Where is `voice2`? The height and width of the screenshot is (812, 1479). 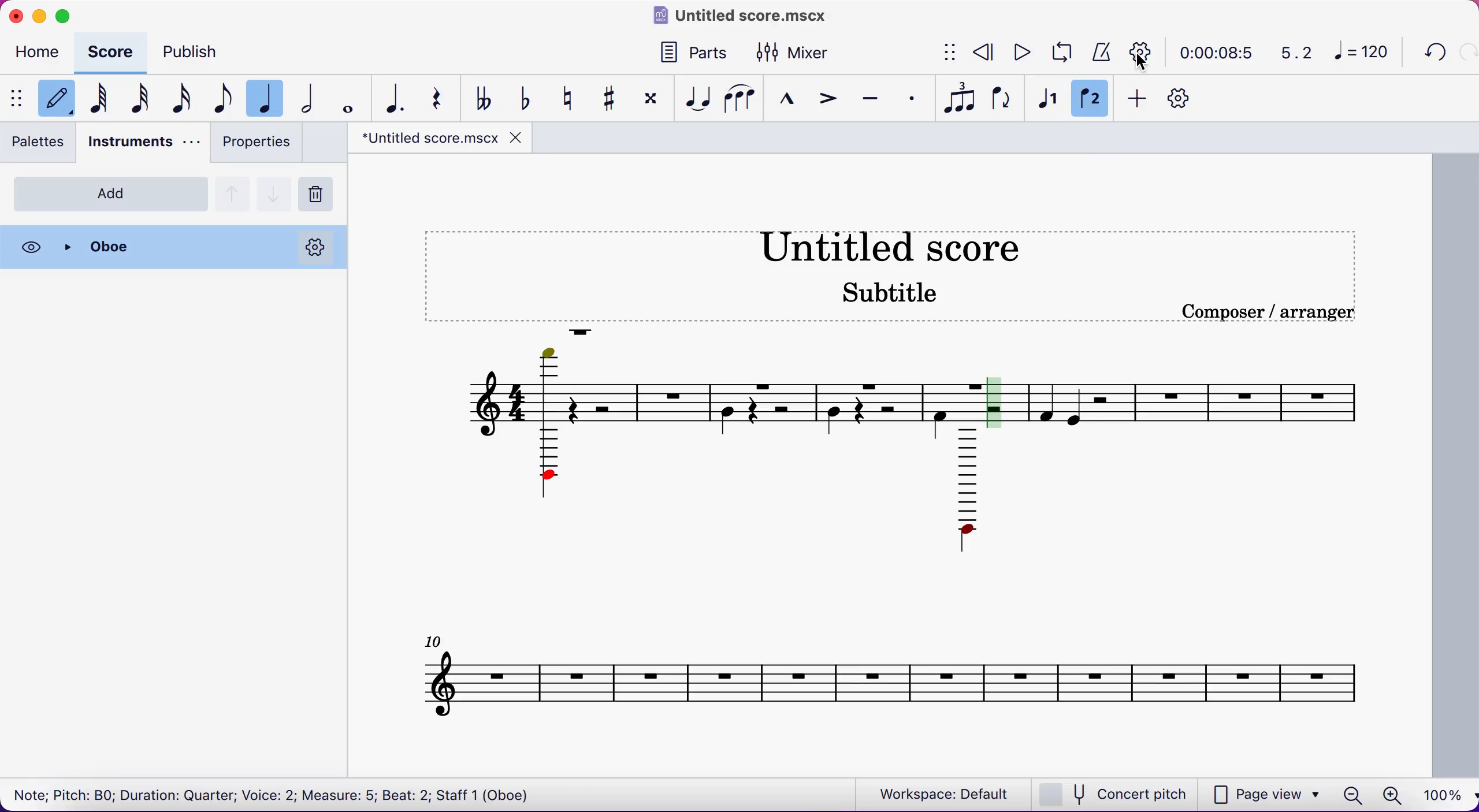
voice2 is located at coordinates (1091, 100).